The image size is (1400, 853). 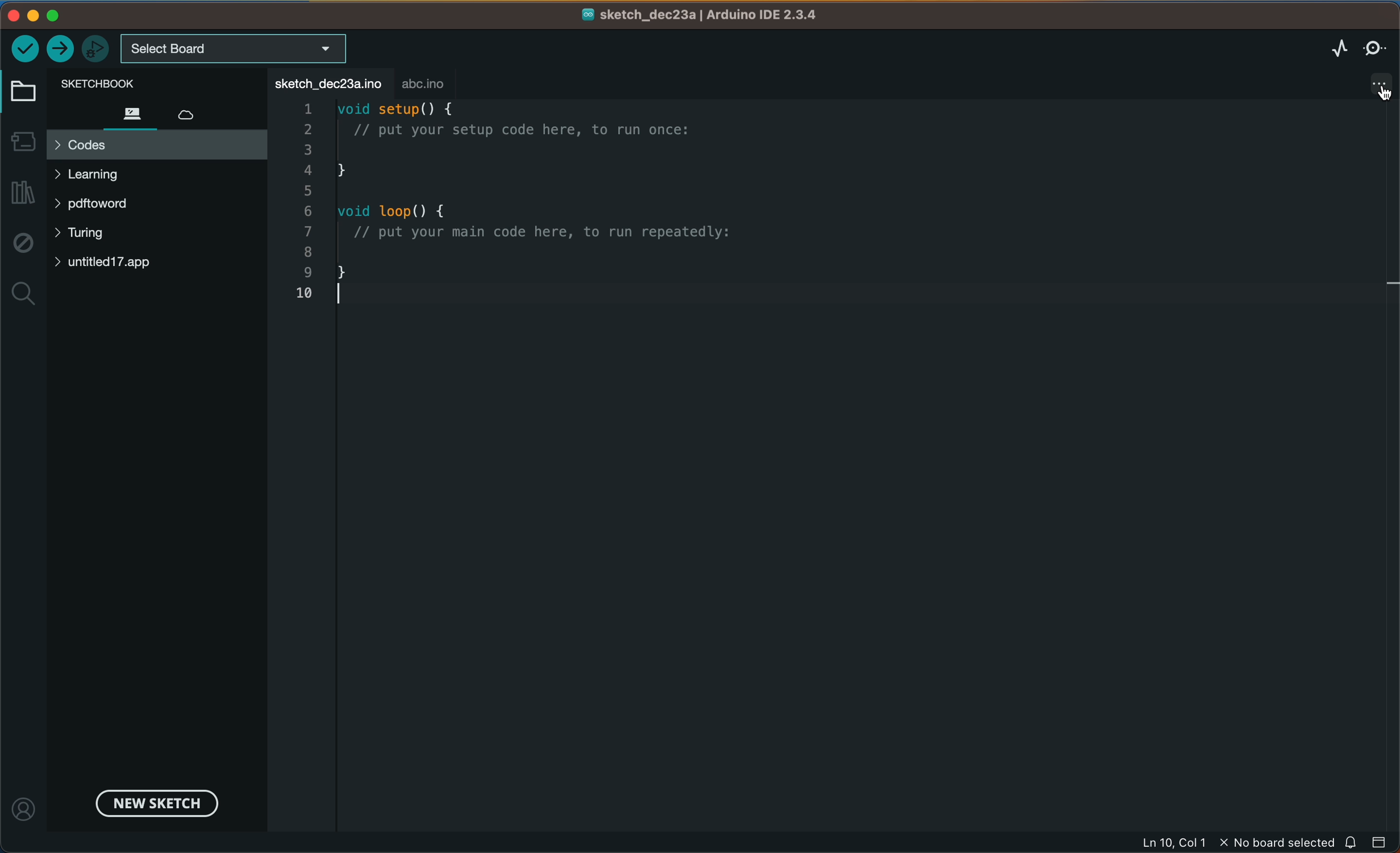 I want to click on profile, so click(x=23, y=810).